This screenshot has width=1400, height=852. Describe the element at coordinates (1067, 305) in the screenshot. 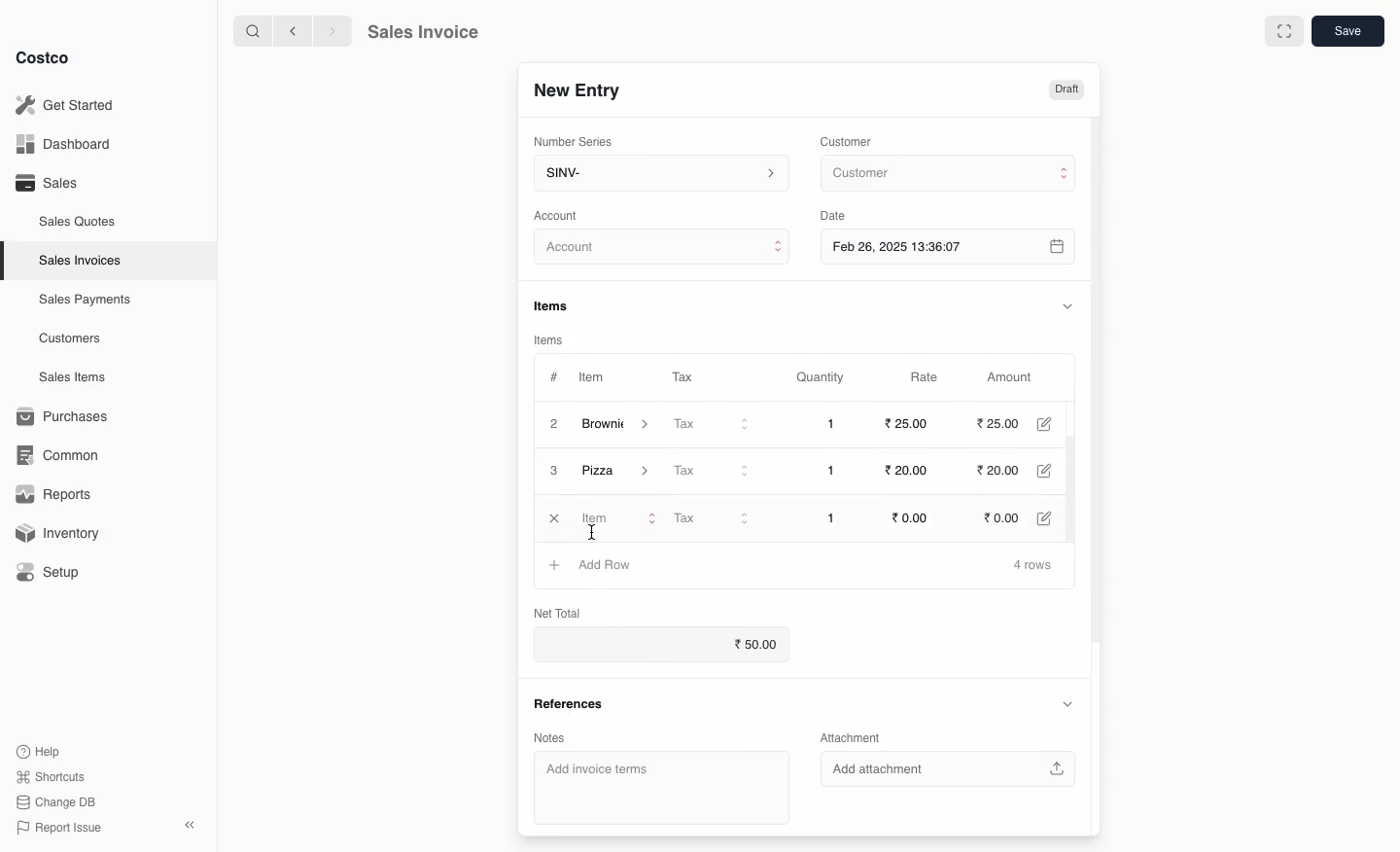

I see `Hide` at that location.